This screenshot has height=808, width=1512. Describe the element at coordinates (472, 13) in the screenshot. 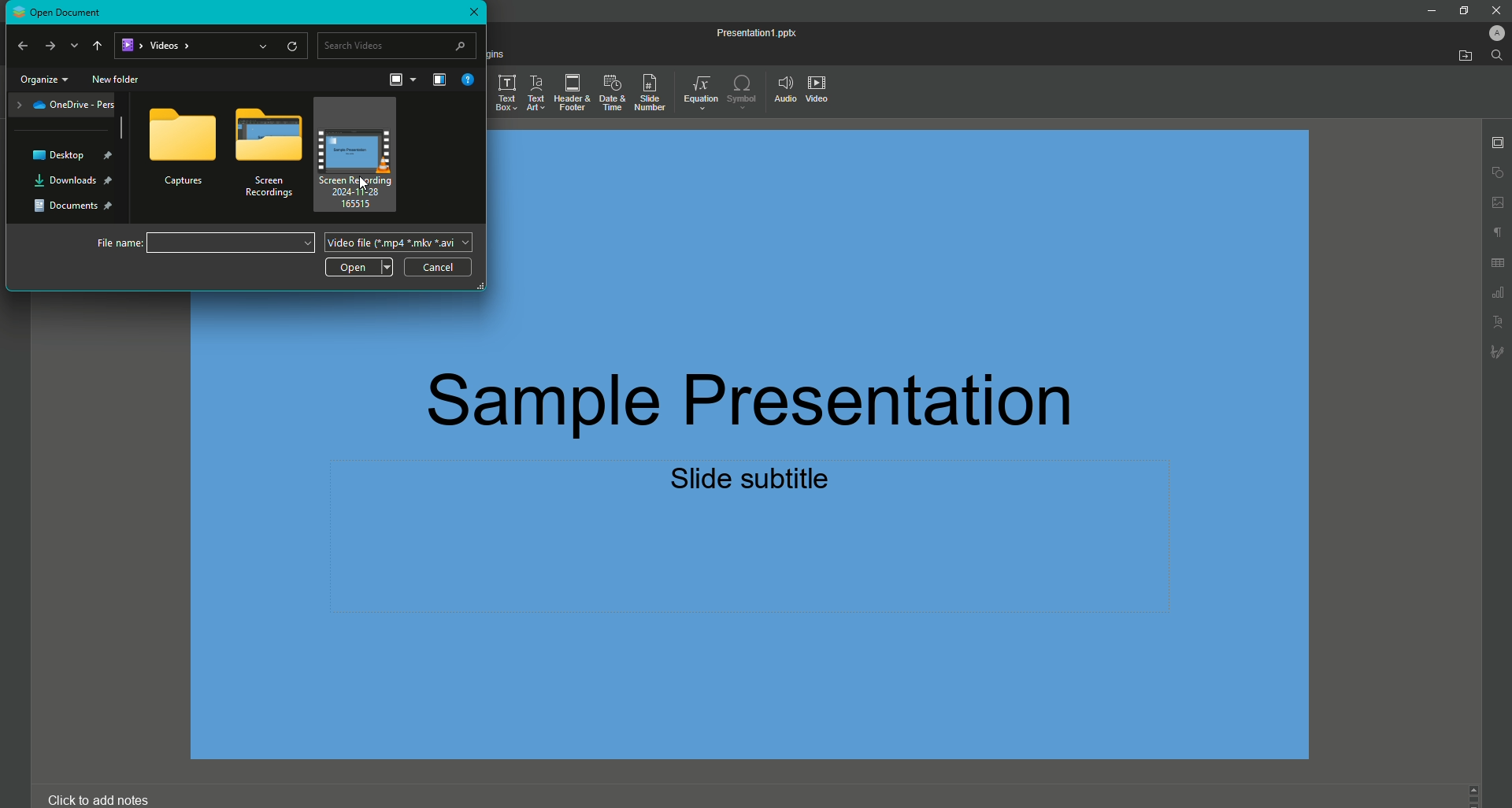

I see `Close` at that location.